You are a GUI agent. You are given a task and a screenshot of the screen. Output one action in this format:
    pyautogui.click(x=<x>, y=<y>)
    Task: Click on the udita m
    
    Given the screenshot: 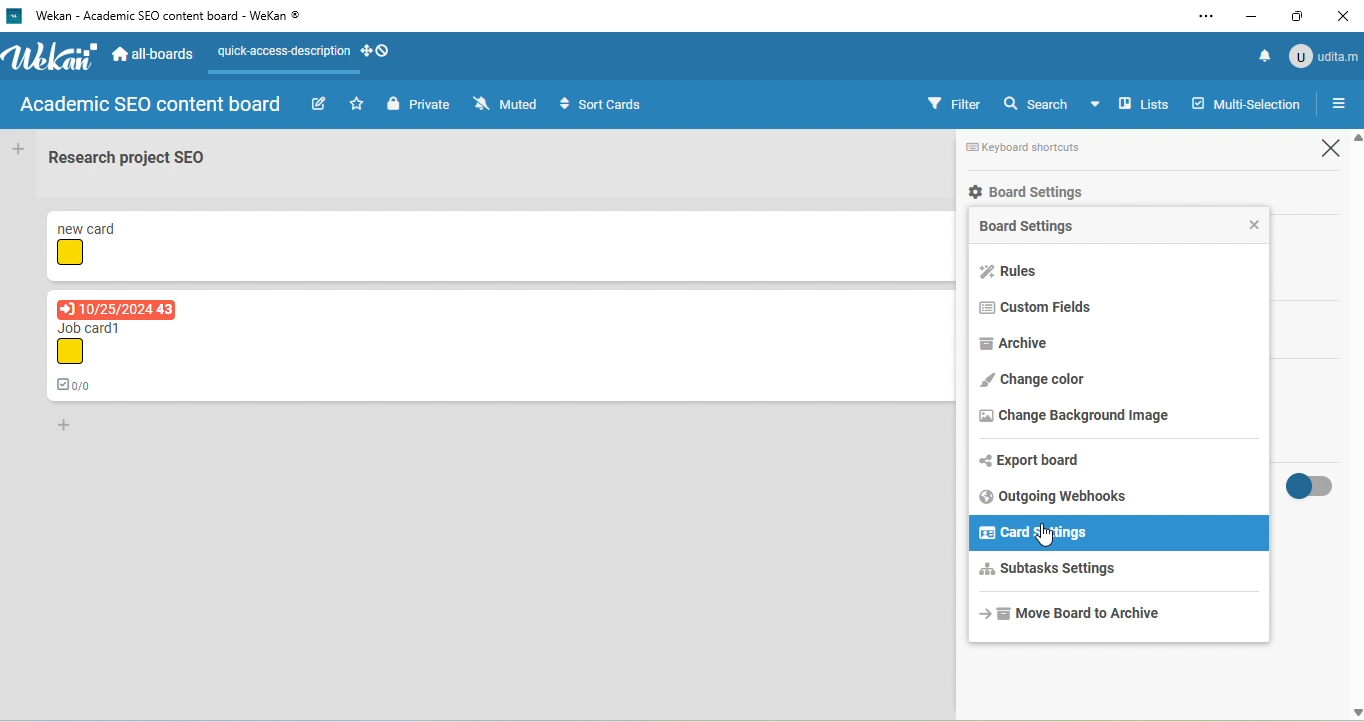 What is the action you would take?
    pyautogui.click(x=1326, y=58)
    